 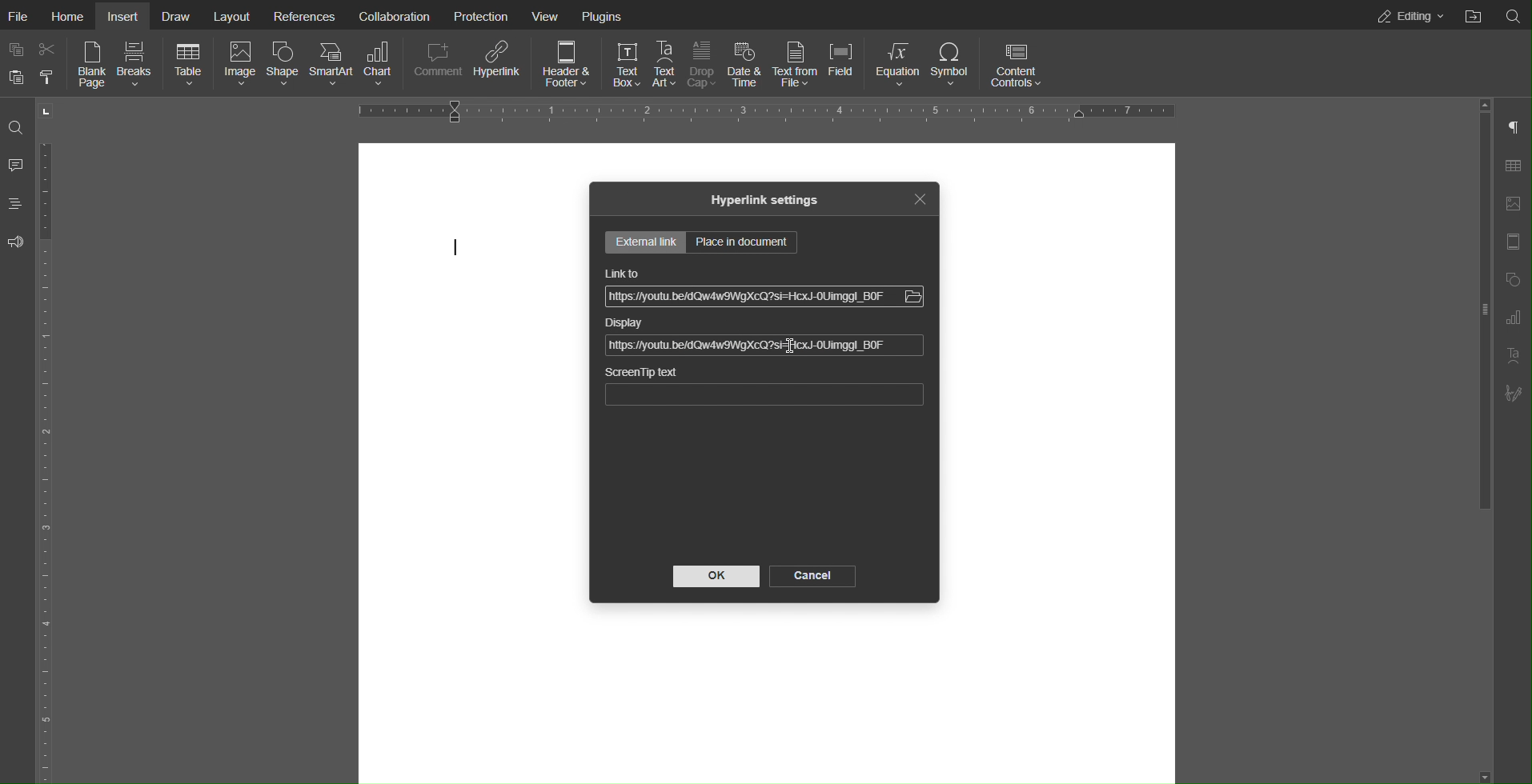 I want to click on Layout, so click(x=234, y=15).